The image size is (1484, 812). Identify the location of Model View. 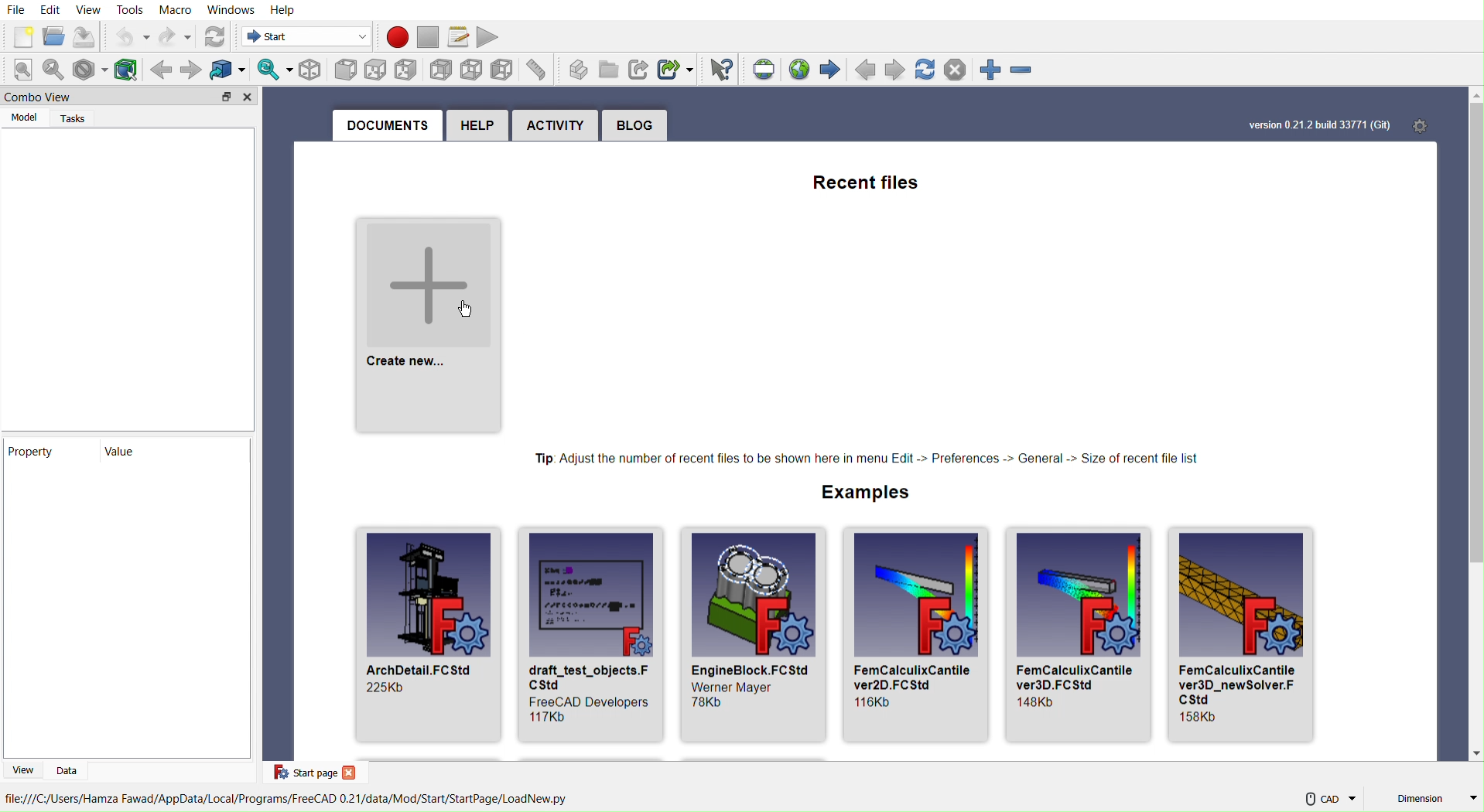
(125, 276).